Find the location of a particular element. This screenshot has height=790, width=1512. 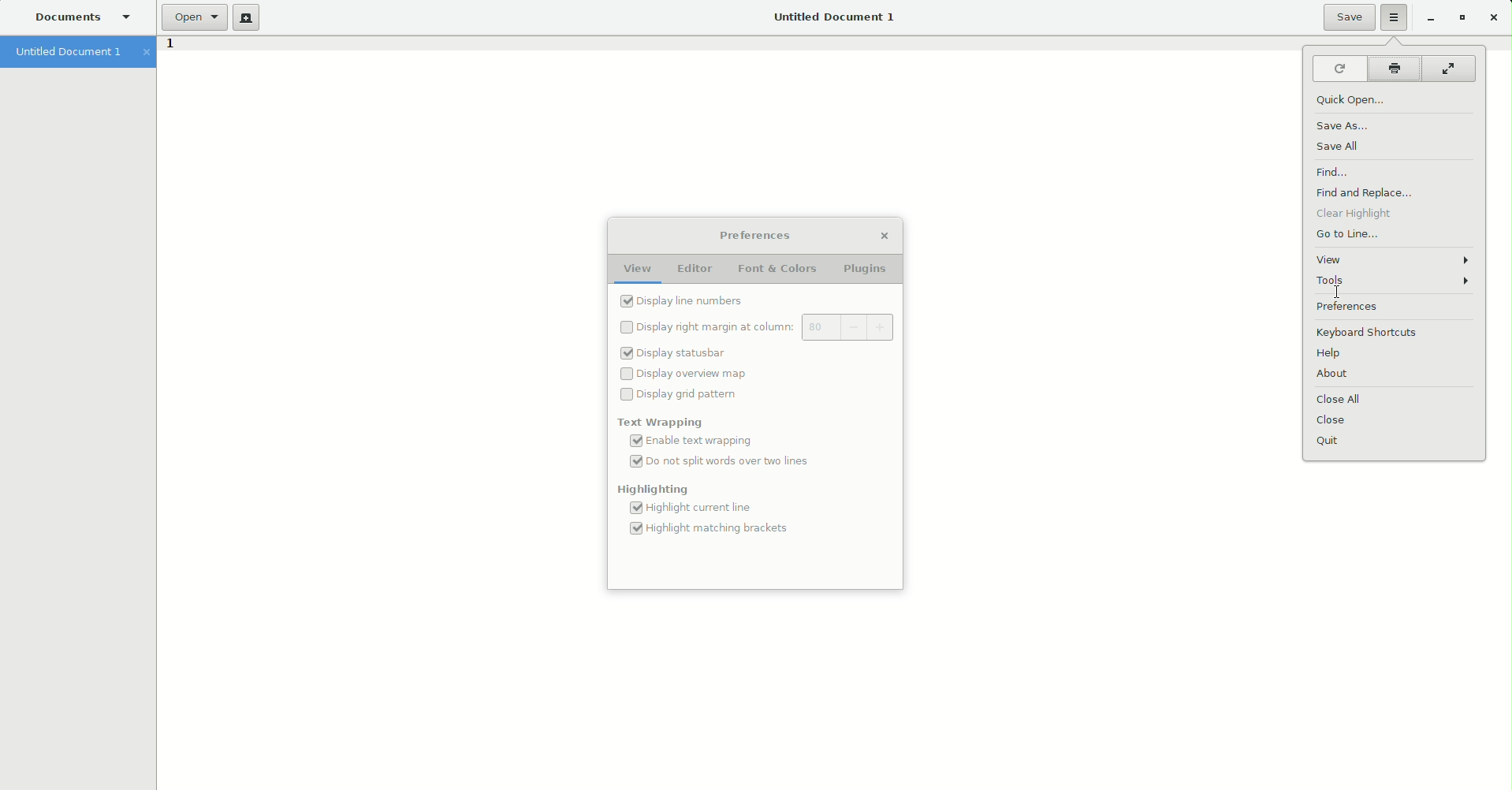

Untitled Document 1 is located at coordinates (832, 17).